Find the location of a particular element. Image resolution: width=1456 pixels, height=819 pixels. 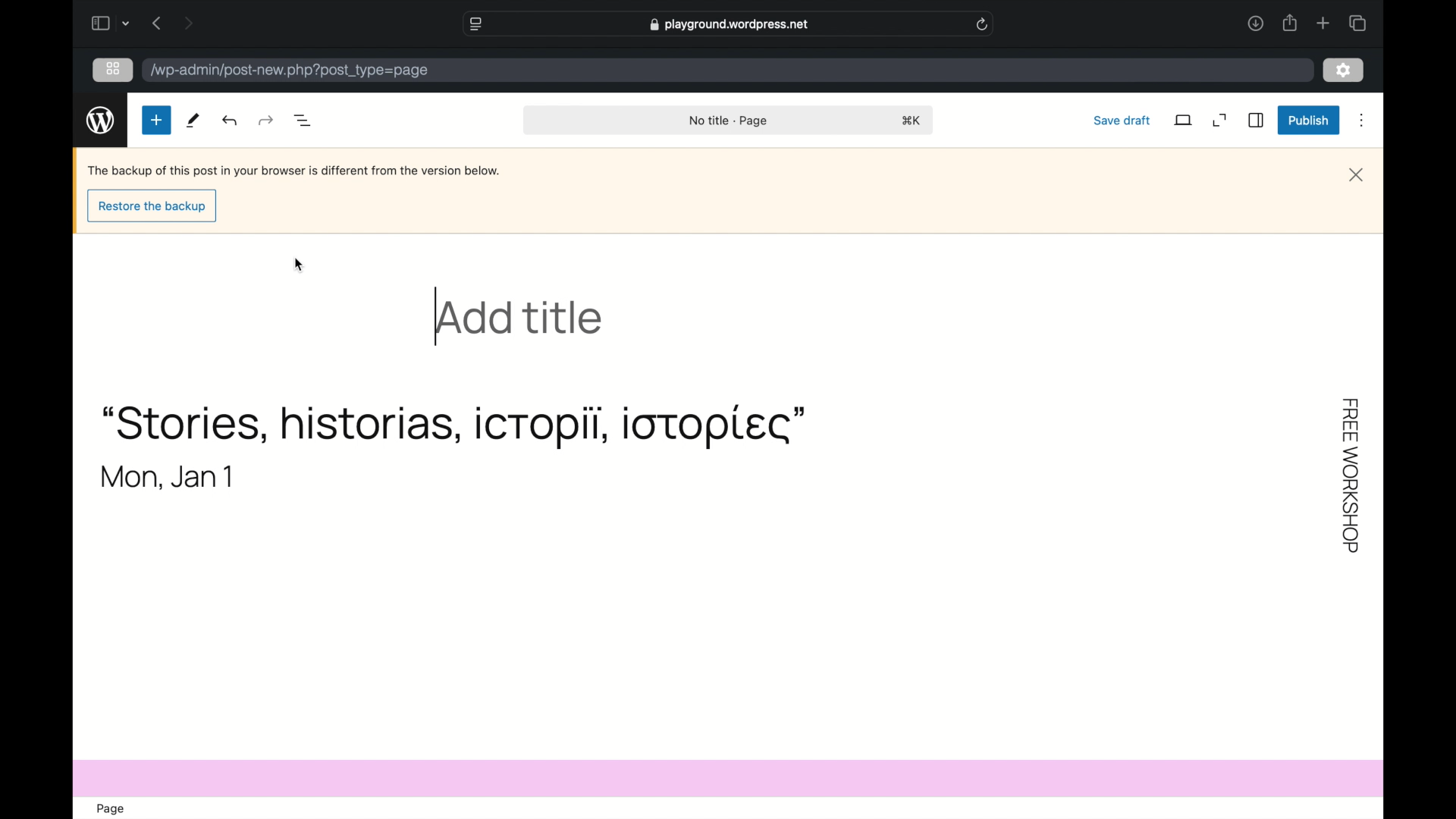

close is located at coordinates (1357, 174).